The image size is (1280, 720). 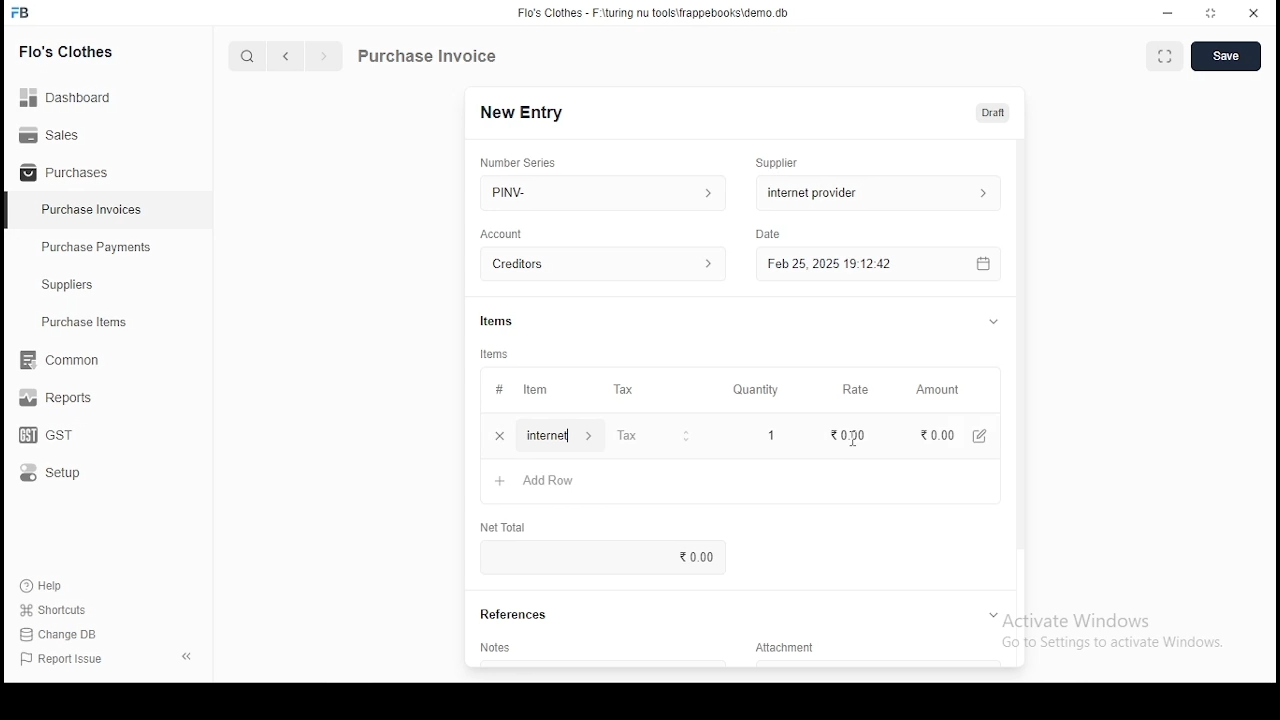 What do you see at coordinates (63, 474) in the screenshot?
I see `setup` at bounding box center [63, 474].